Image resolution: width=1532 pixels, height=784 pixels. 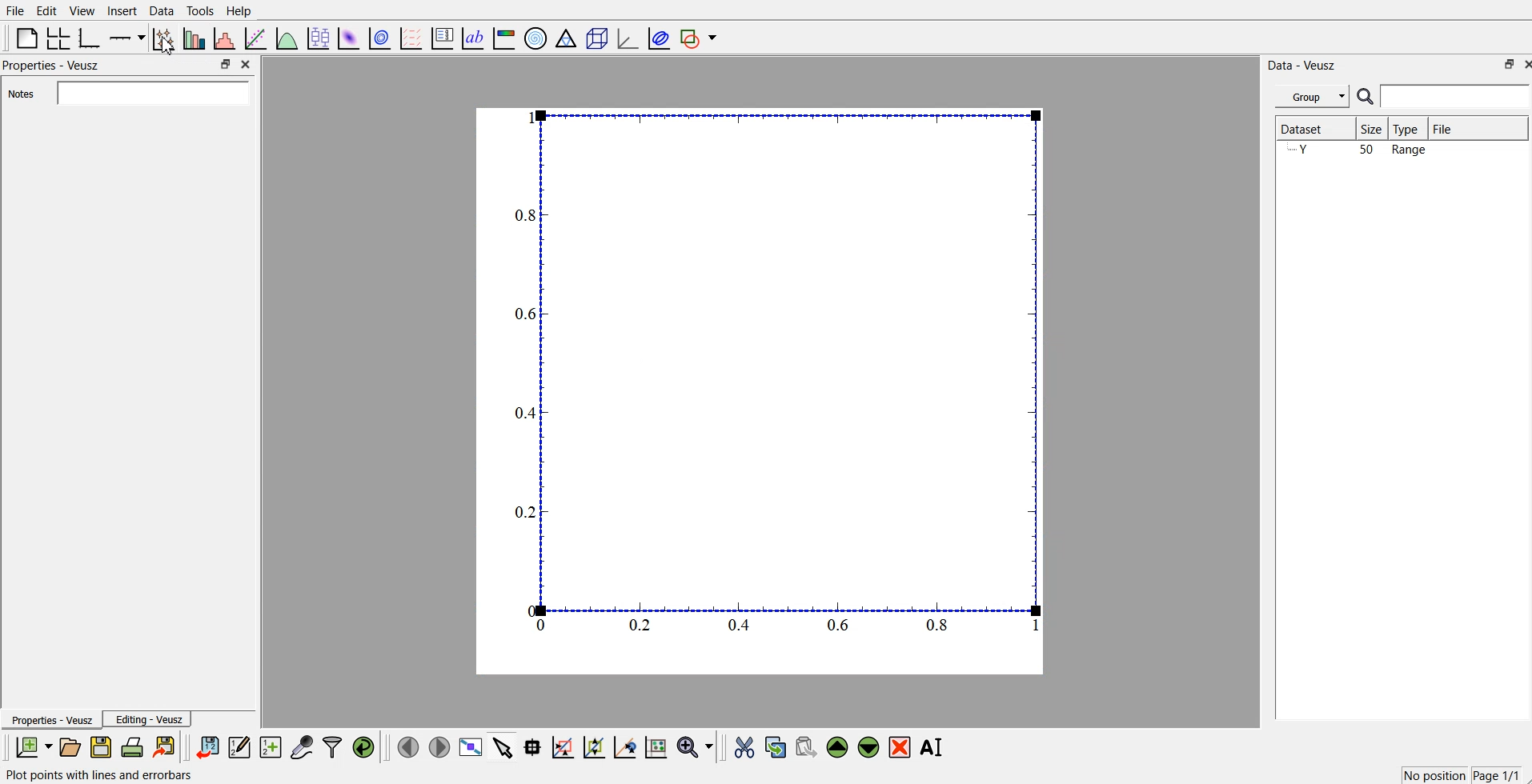 What do you see at coordinates (566, 37) in the screenshot?
I see `ternary graph` at bounding box center [566, 37].